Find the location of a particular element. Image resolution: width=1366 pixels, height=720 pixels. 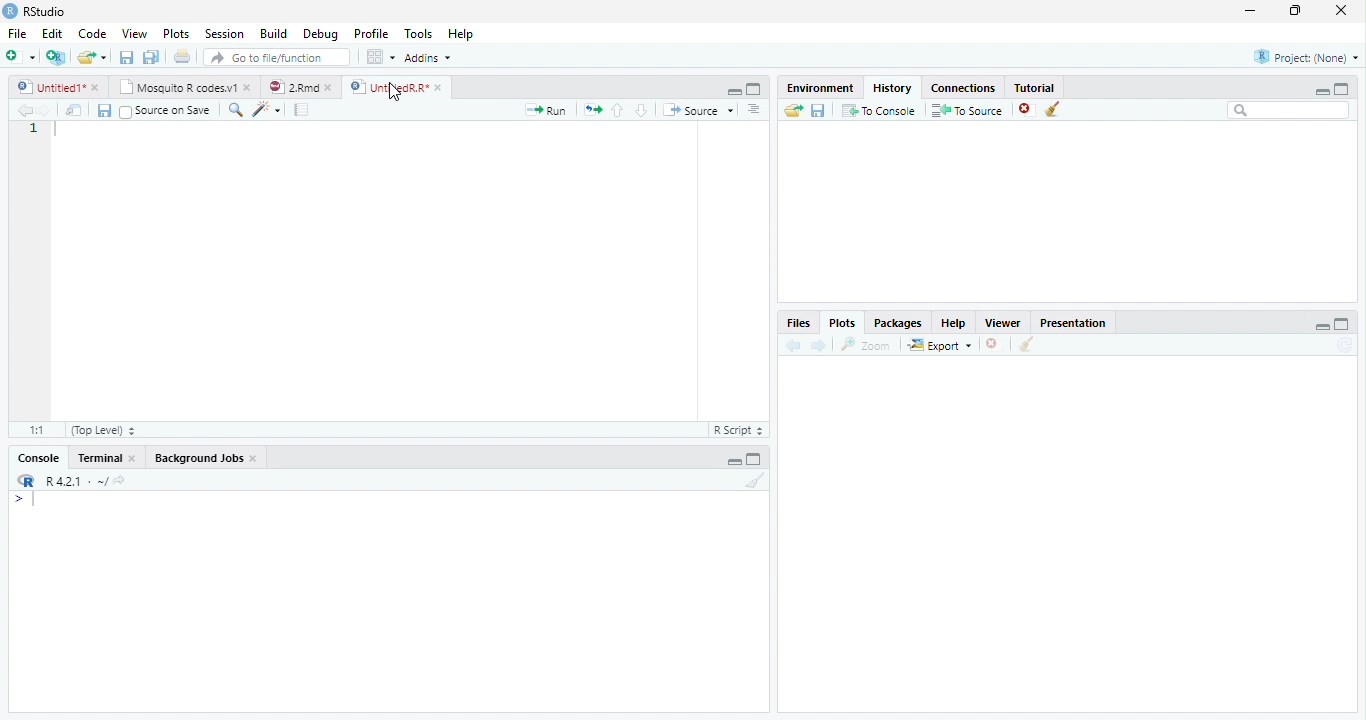

Go back to previous source location is located at coordinates (24, 110).